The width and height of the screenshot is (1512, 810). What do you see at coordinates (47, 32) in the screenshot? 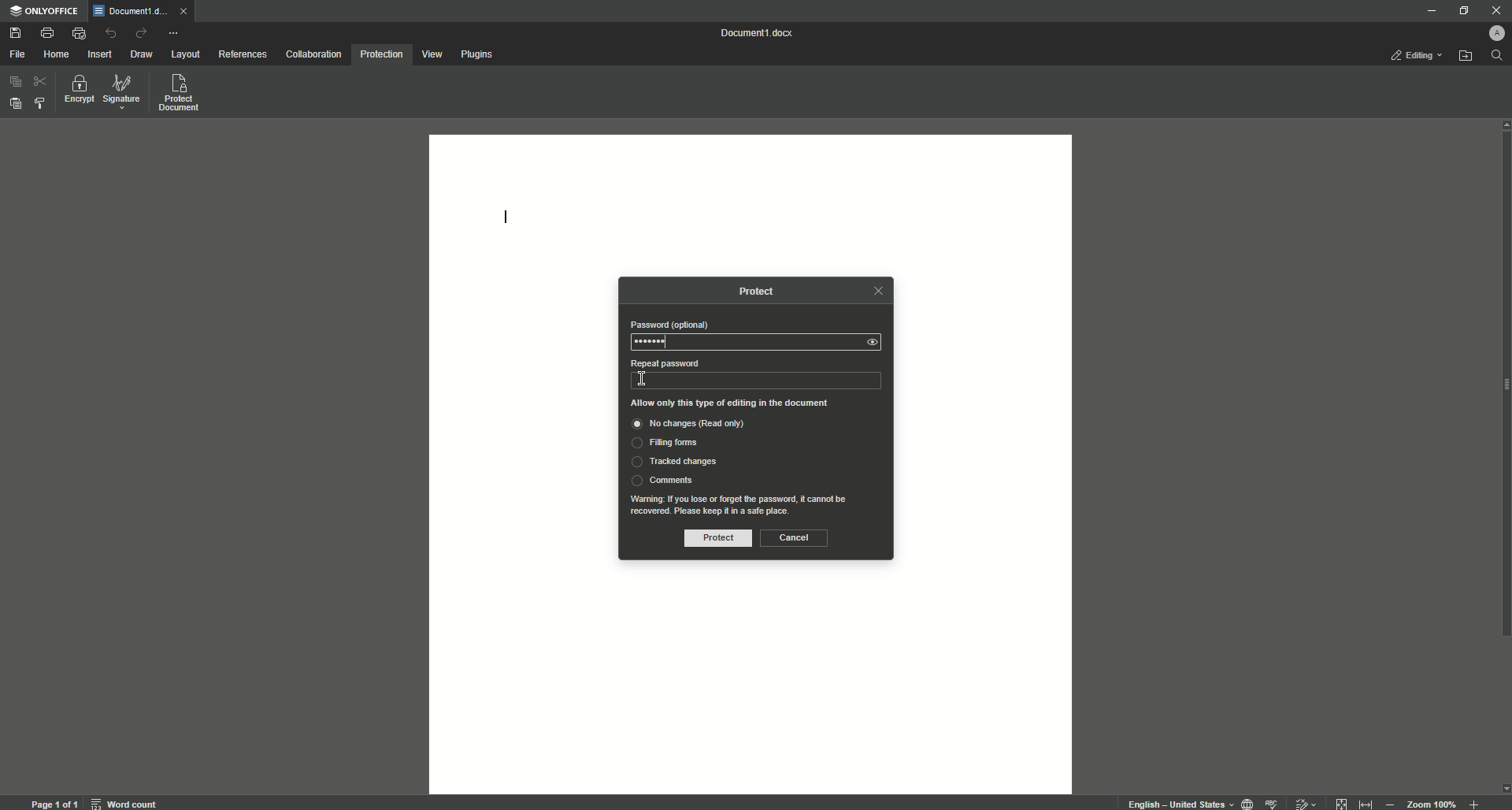
I see `Print` at bounding box center [47, 32].